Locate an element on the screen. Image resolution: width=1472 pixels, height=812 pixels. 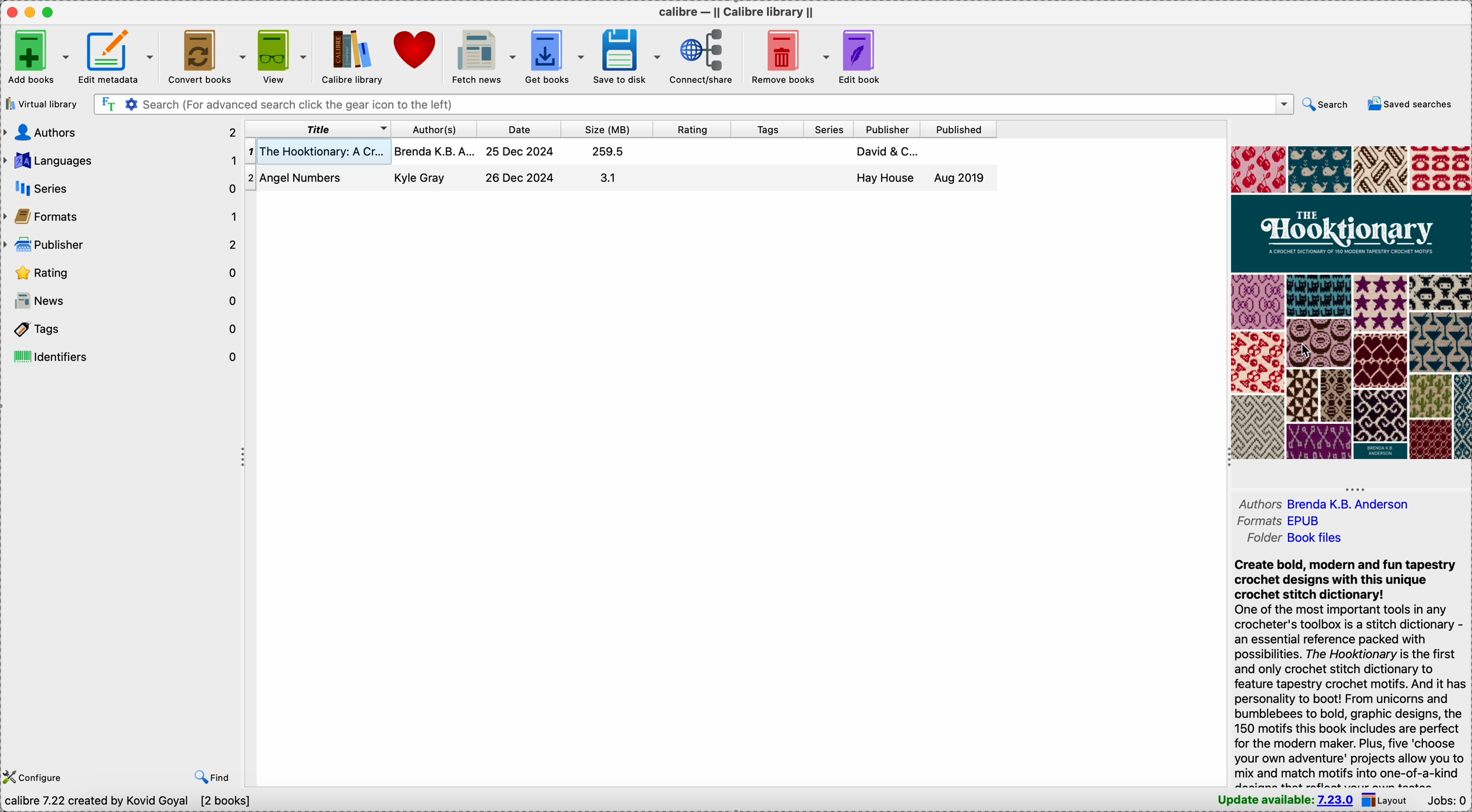
synopsis is located at coordinates (1350, 671).